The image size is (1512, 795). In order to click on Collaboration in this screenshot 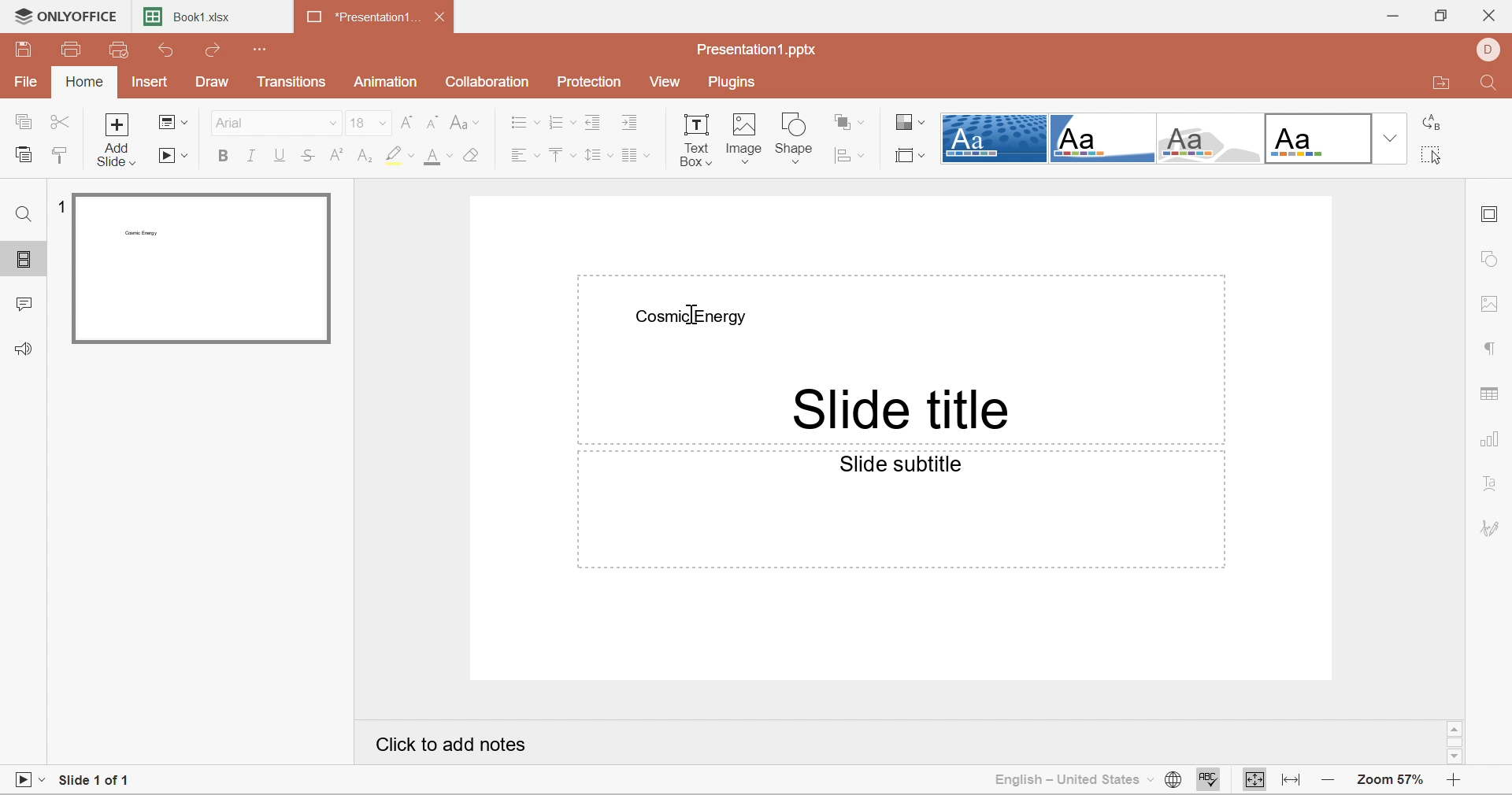, I will do `click(489, 83)`.